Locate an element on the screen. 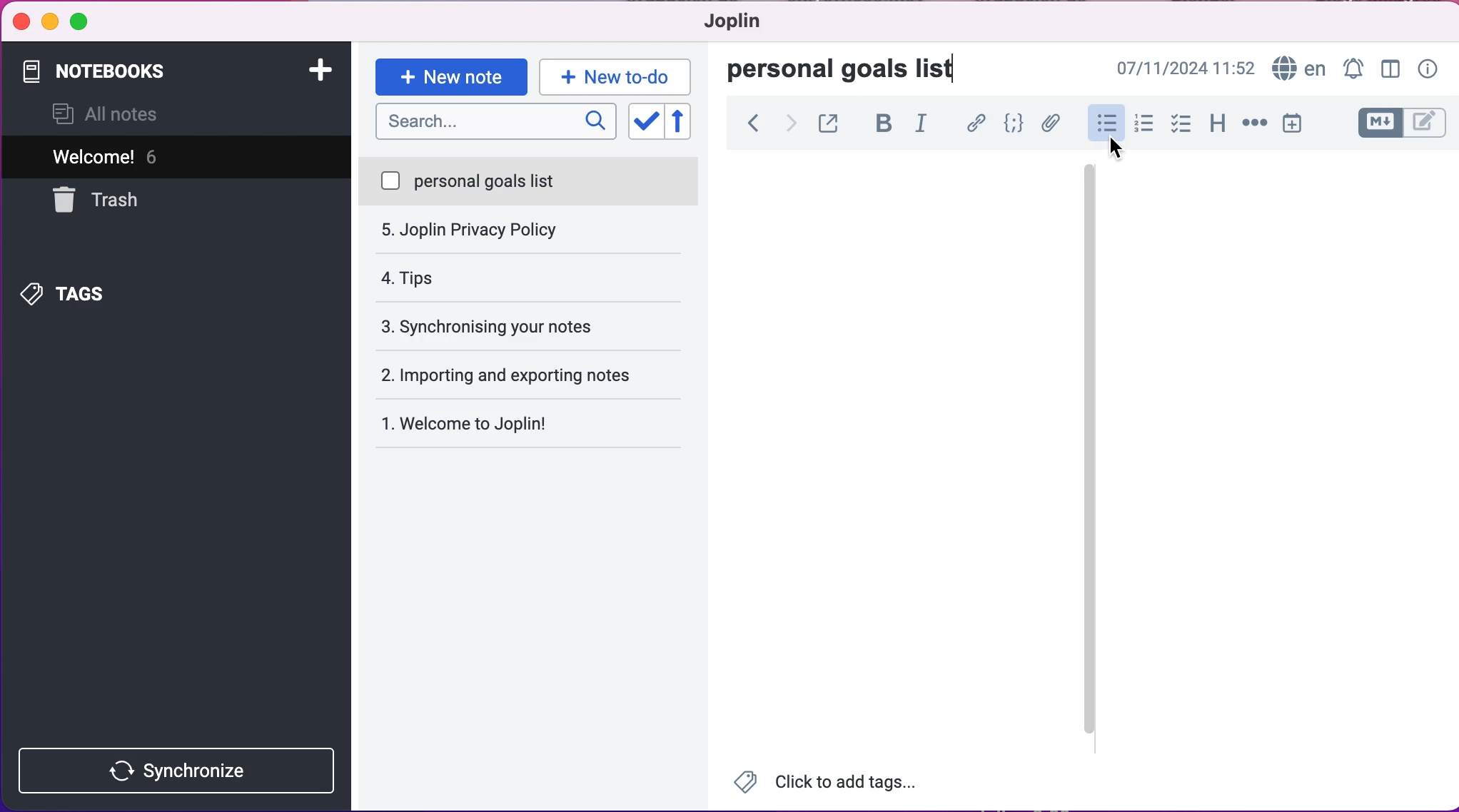 The height and width of the screenshot is (812, 1459). set alarm is located at coordinates (1351, 66).